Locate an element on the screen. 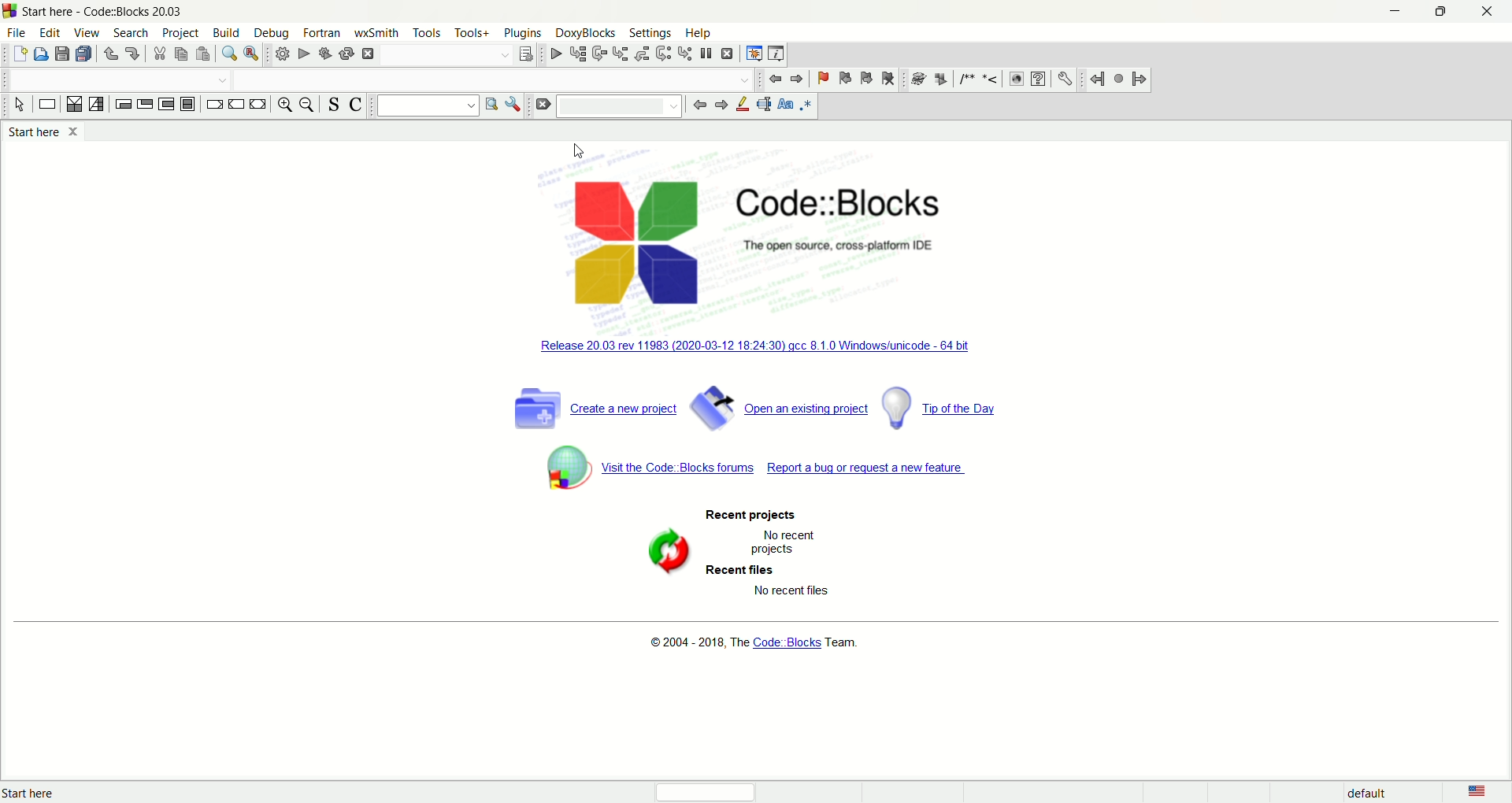  break instruction is located at coordinates (213, 104).